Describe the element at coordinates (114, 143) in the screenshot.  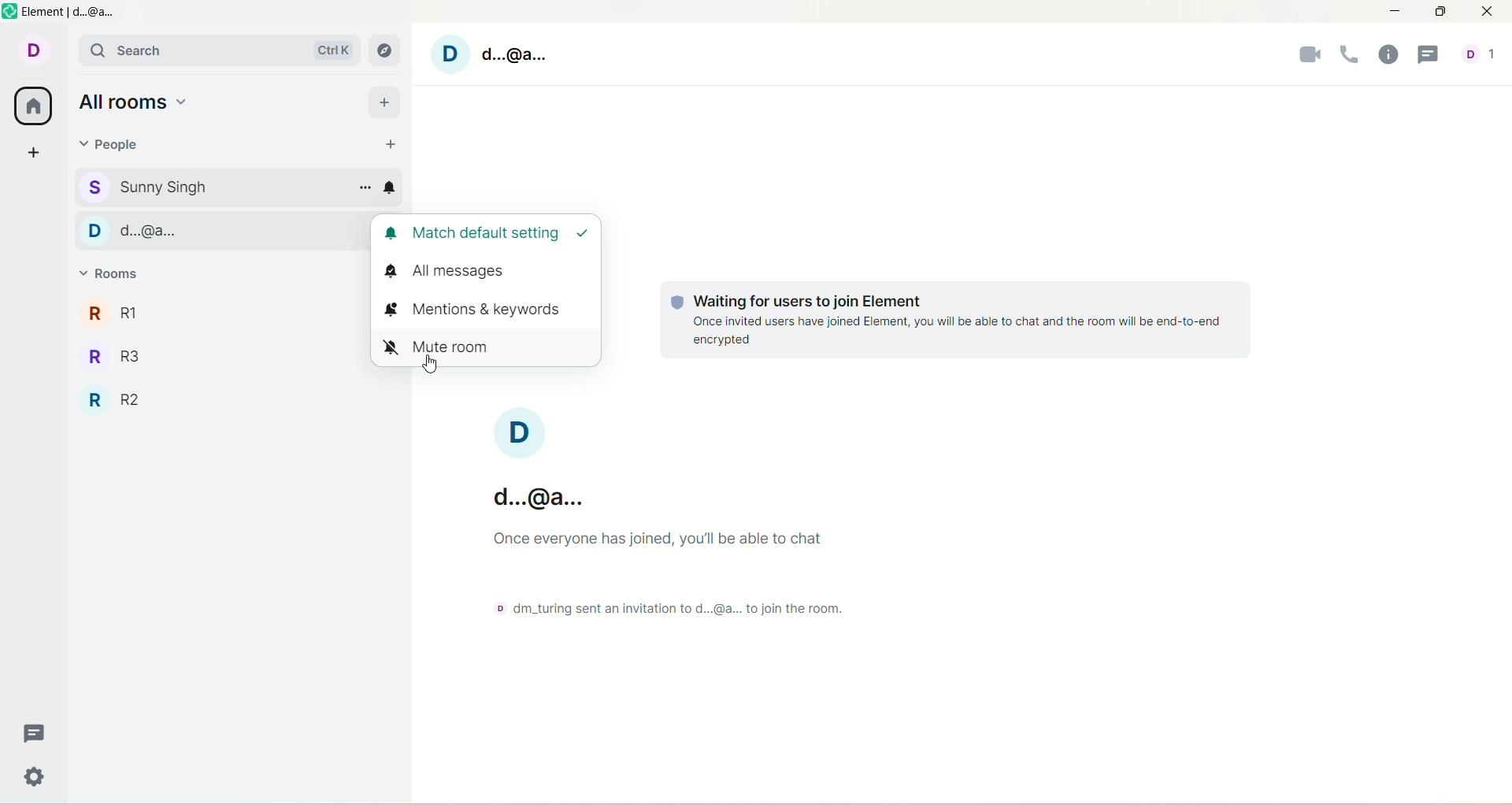
I see `people` at that location.